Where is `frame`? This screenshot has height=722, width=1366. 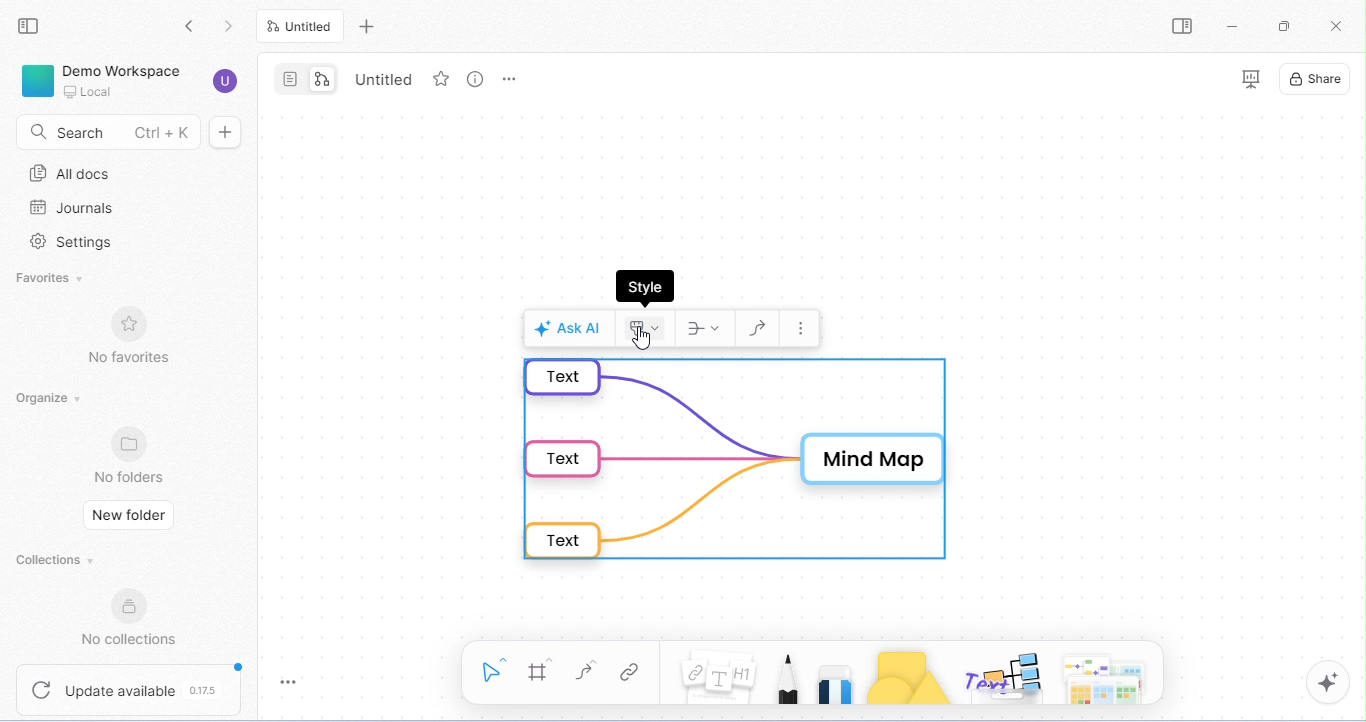 frame is located at coordinates (540, 672).